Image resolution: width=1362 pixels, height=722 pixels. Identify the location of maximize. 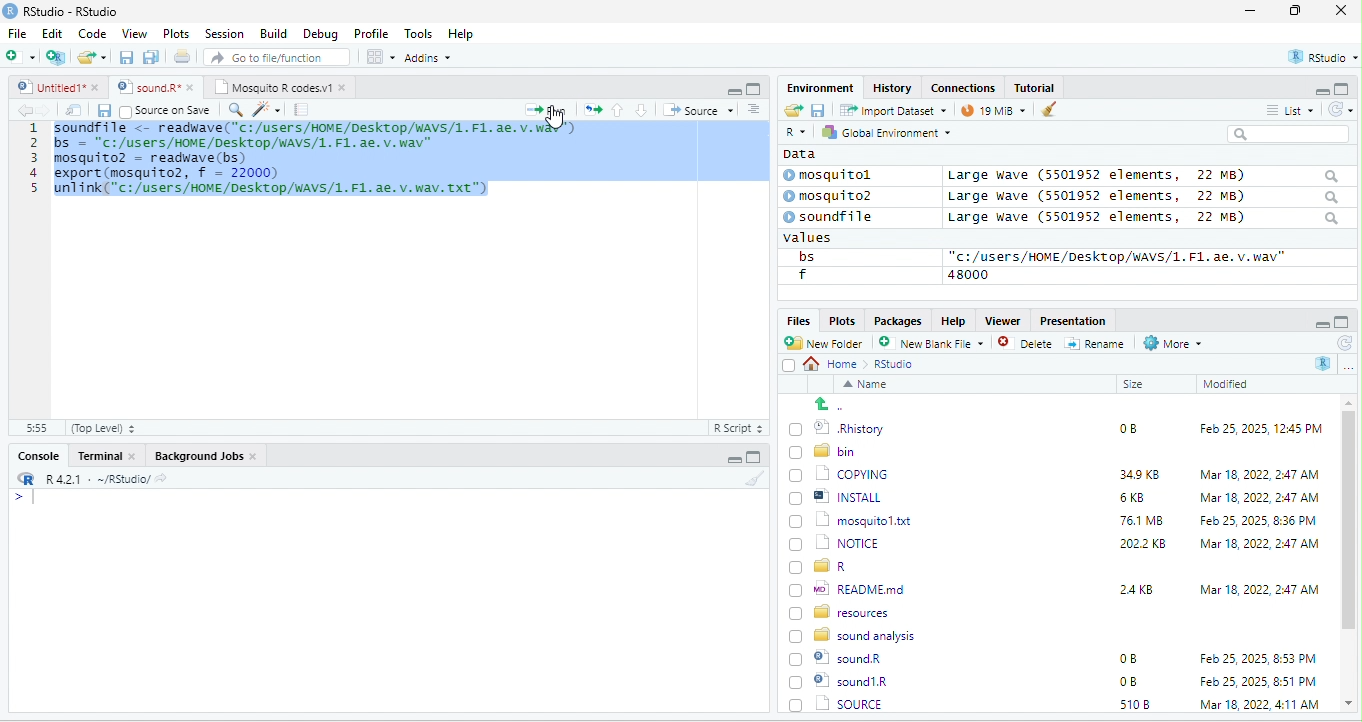
(1299, 12).